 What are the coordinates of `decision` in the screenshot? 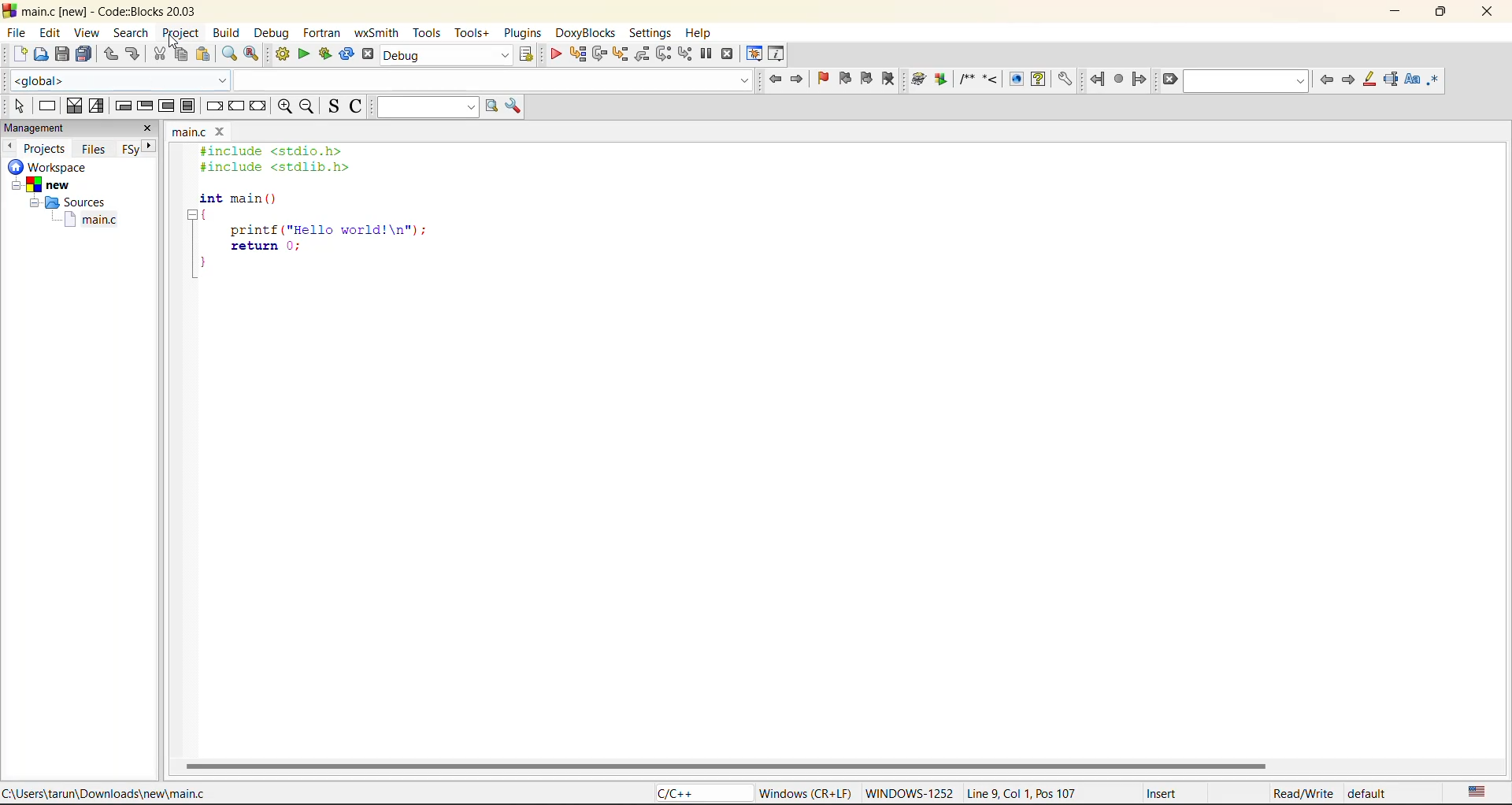 It's located at (75, 106).